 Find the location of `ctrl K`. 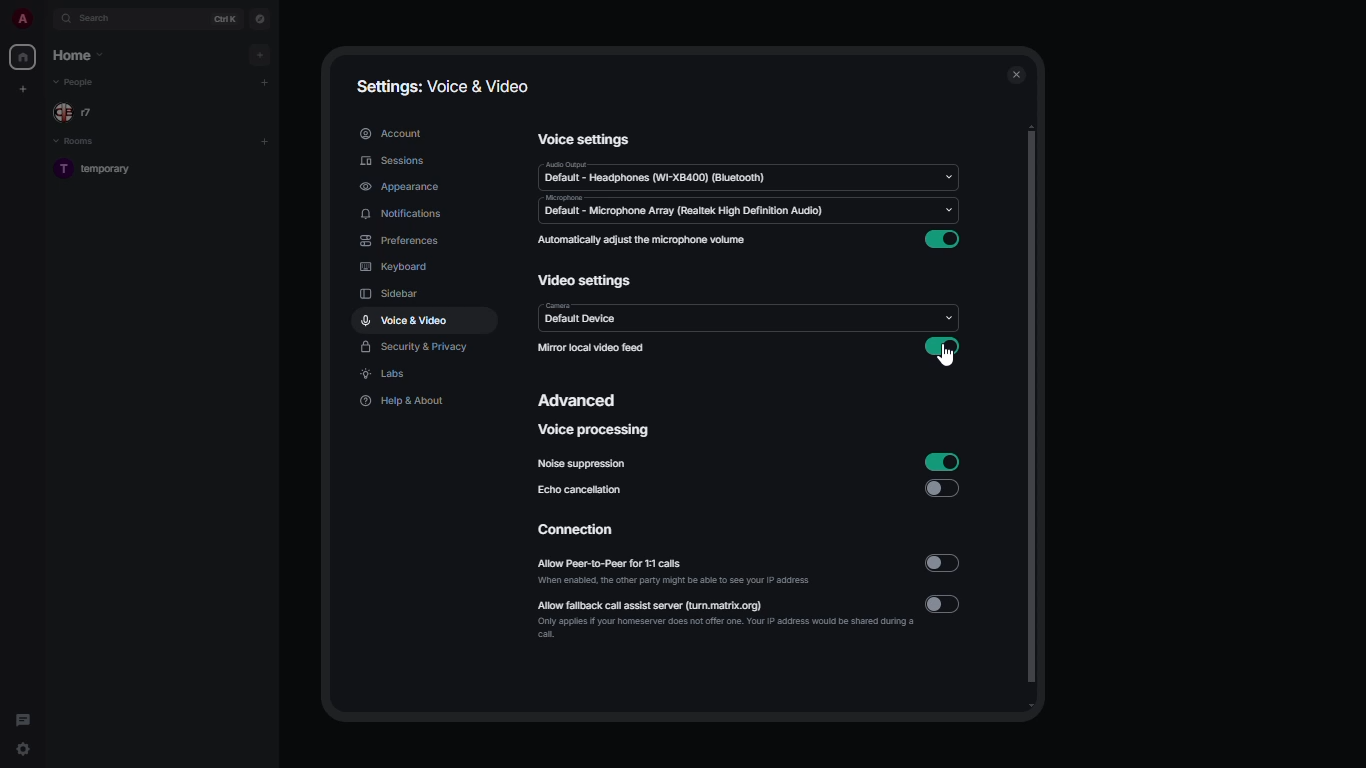

ctrl K is located at coordinates (227, 19).